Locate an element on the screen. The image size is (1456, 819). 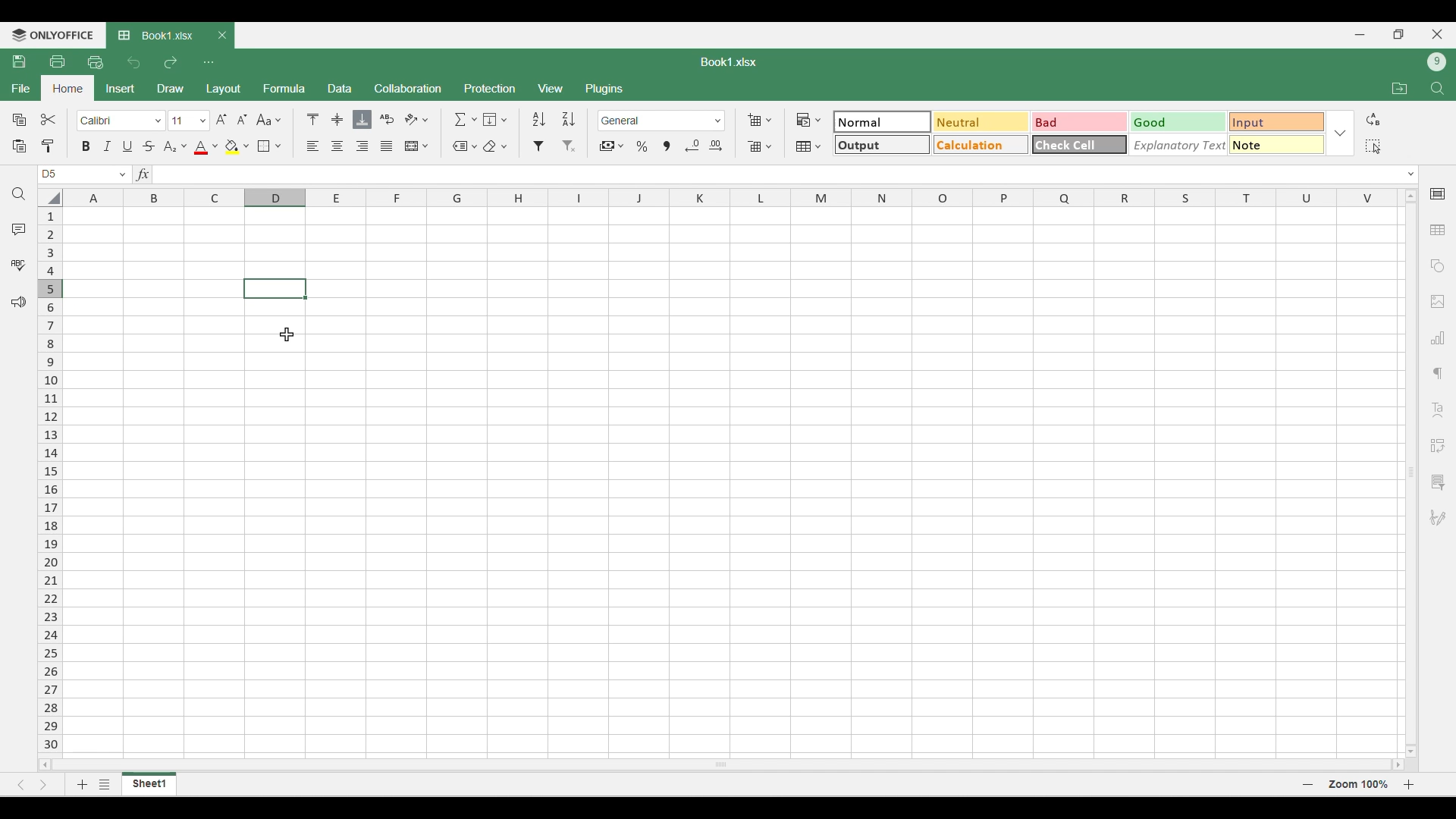
Quick print is located at coordinates (96, 62).